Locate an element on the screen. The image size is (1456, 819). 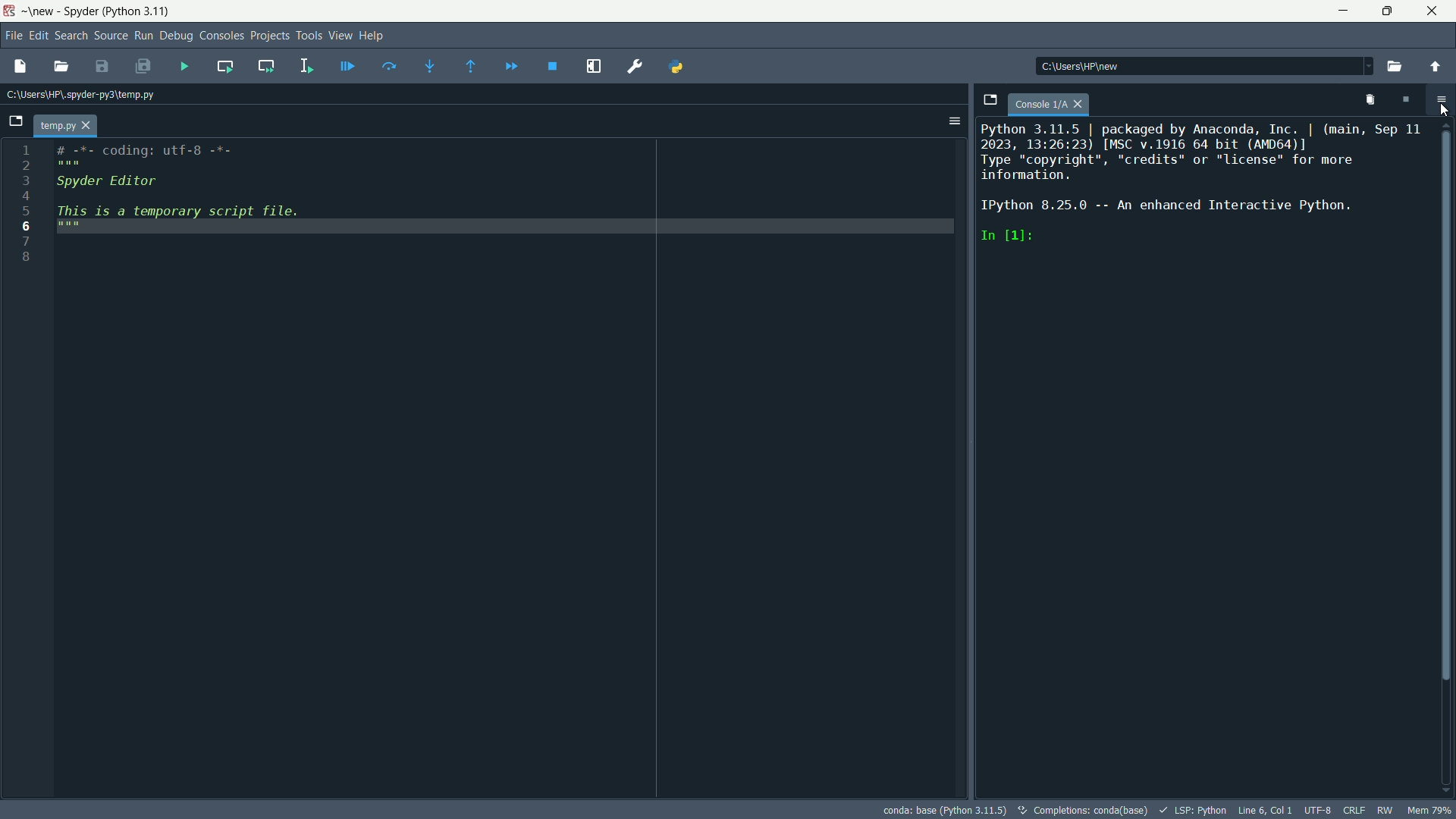
interrupt kernel is located at coordinates (1406, 101).